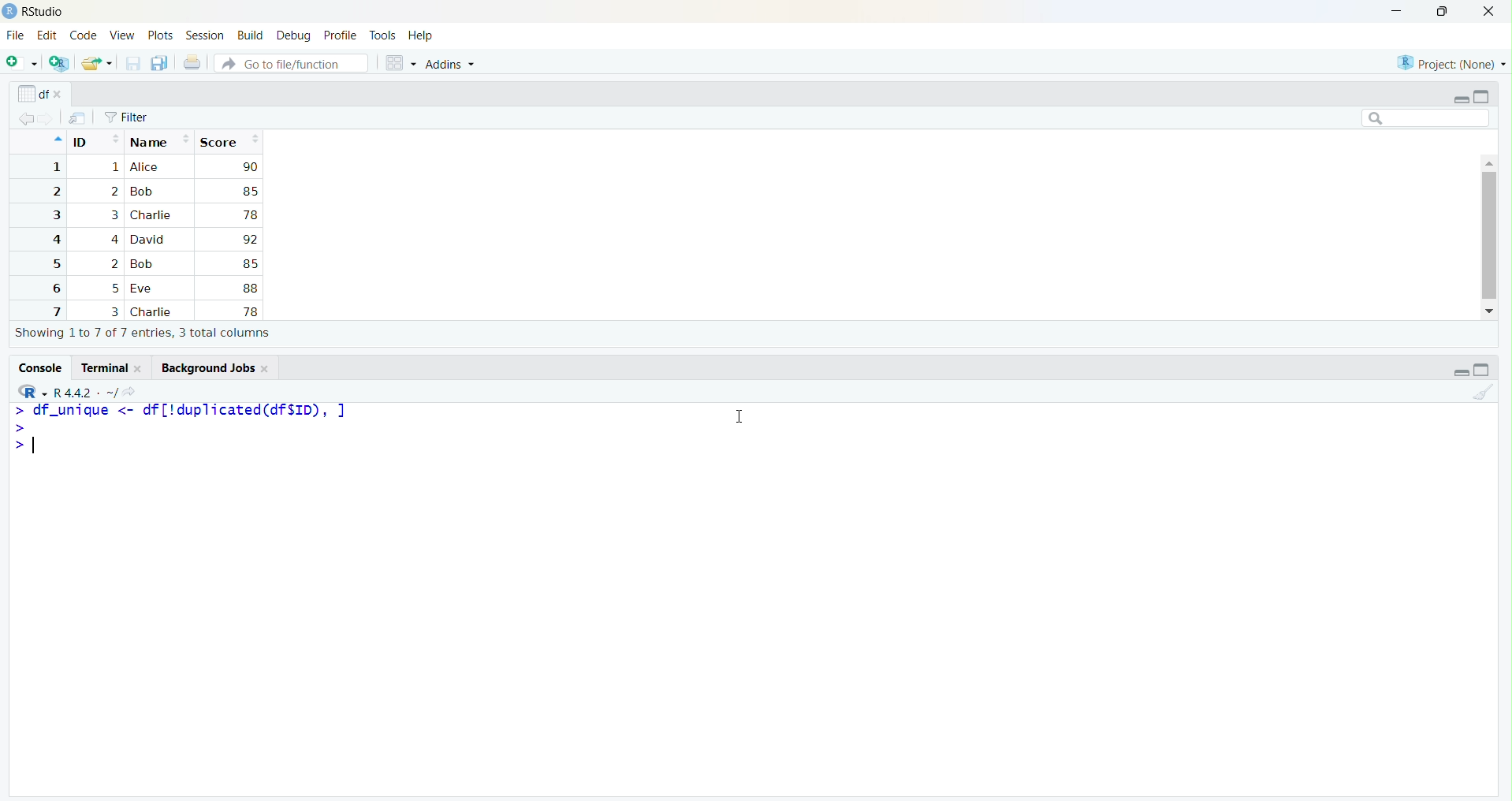  Describe the element at coordinates (73, 393) in the screenshot. I see `R 4.4.2` at that location.